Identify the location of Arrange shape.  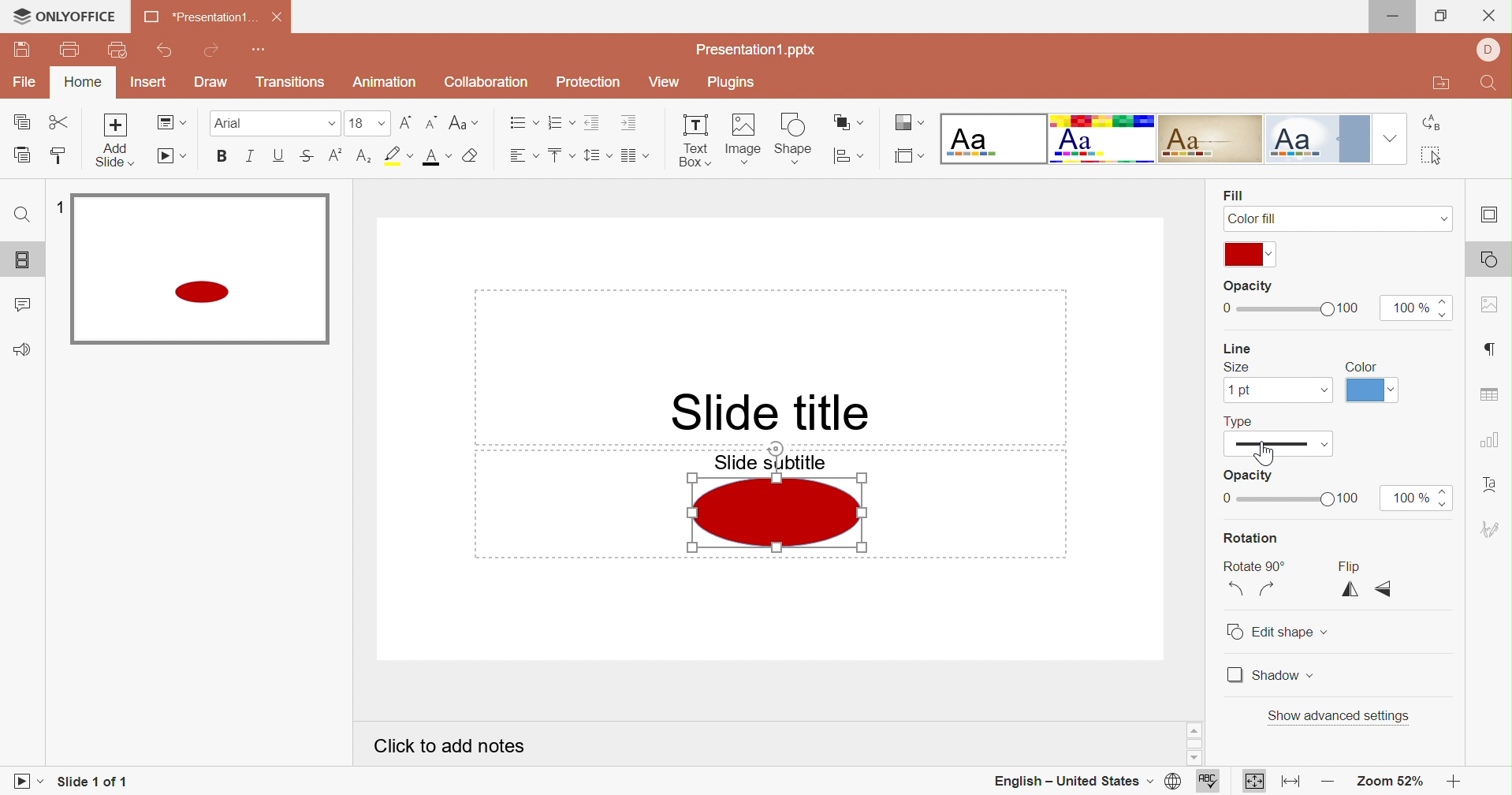
(847, 121).